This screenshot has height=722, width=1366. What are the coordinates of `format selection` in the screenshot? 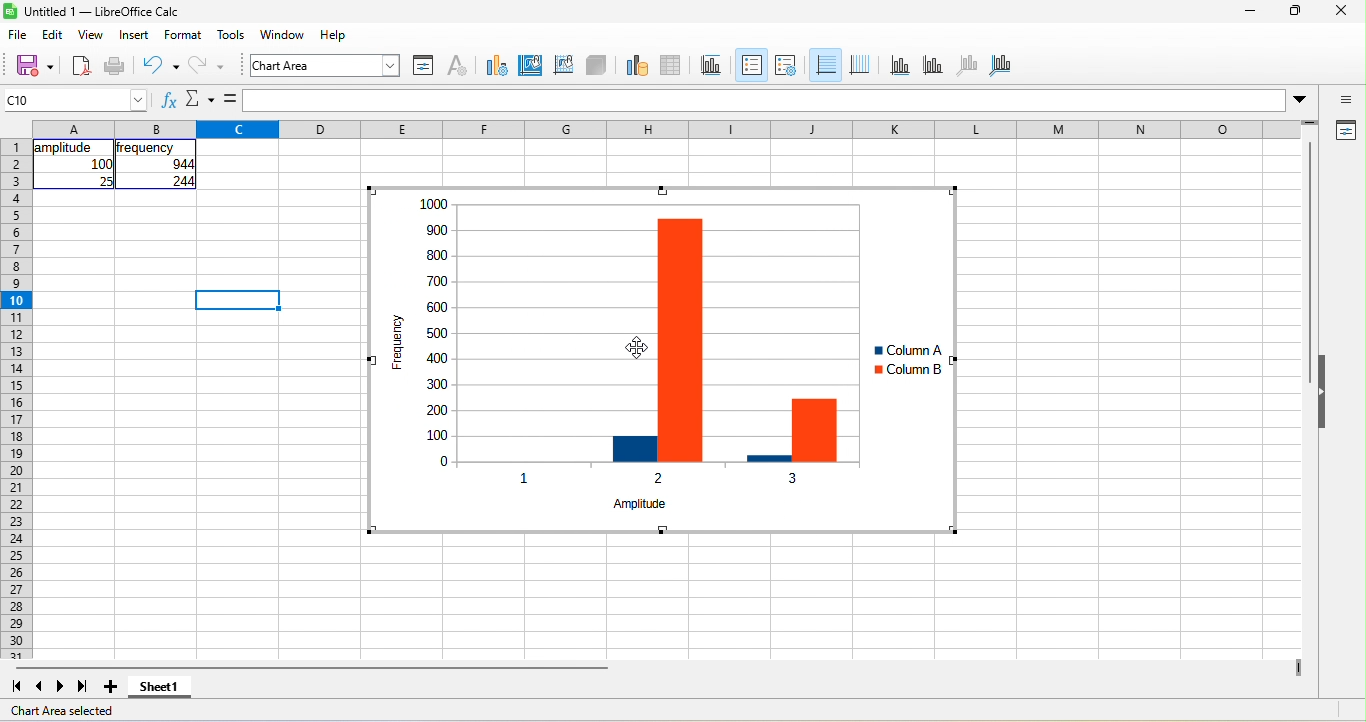 It's located at (424, 66).